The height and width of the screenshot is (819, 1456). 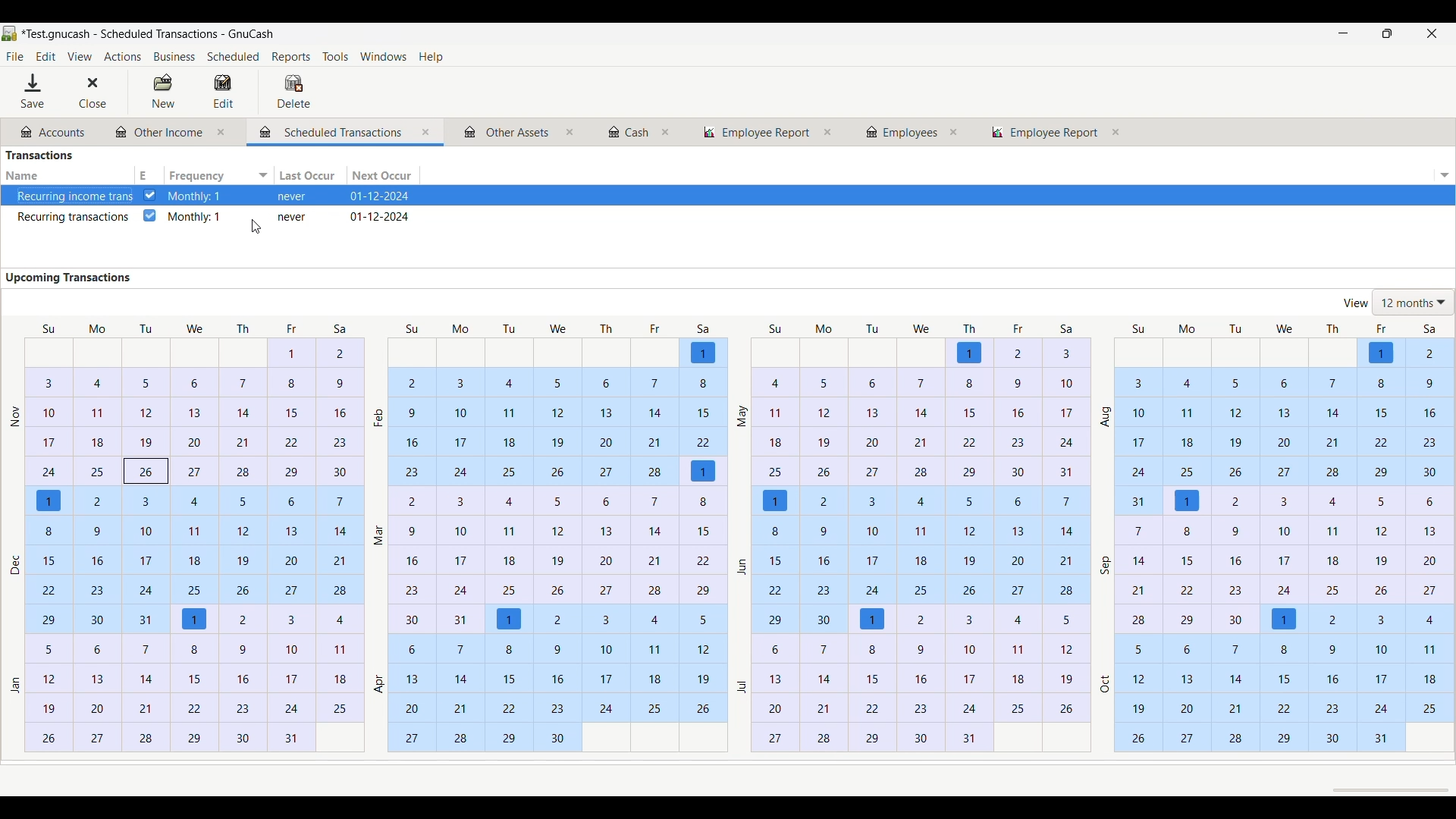 What do you see at coordinates (228, 93) in the screenshot?
I see `edit` at bounding box center [228, 93].